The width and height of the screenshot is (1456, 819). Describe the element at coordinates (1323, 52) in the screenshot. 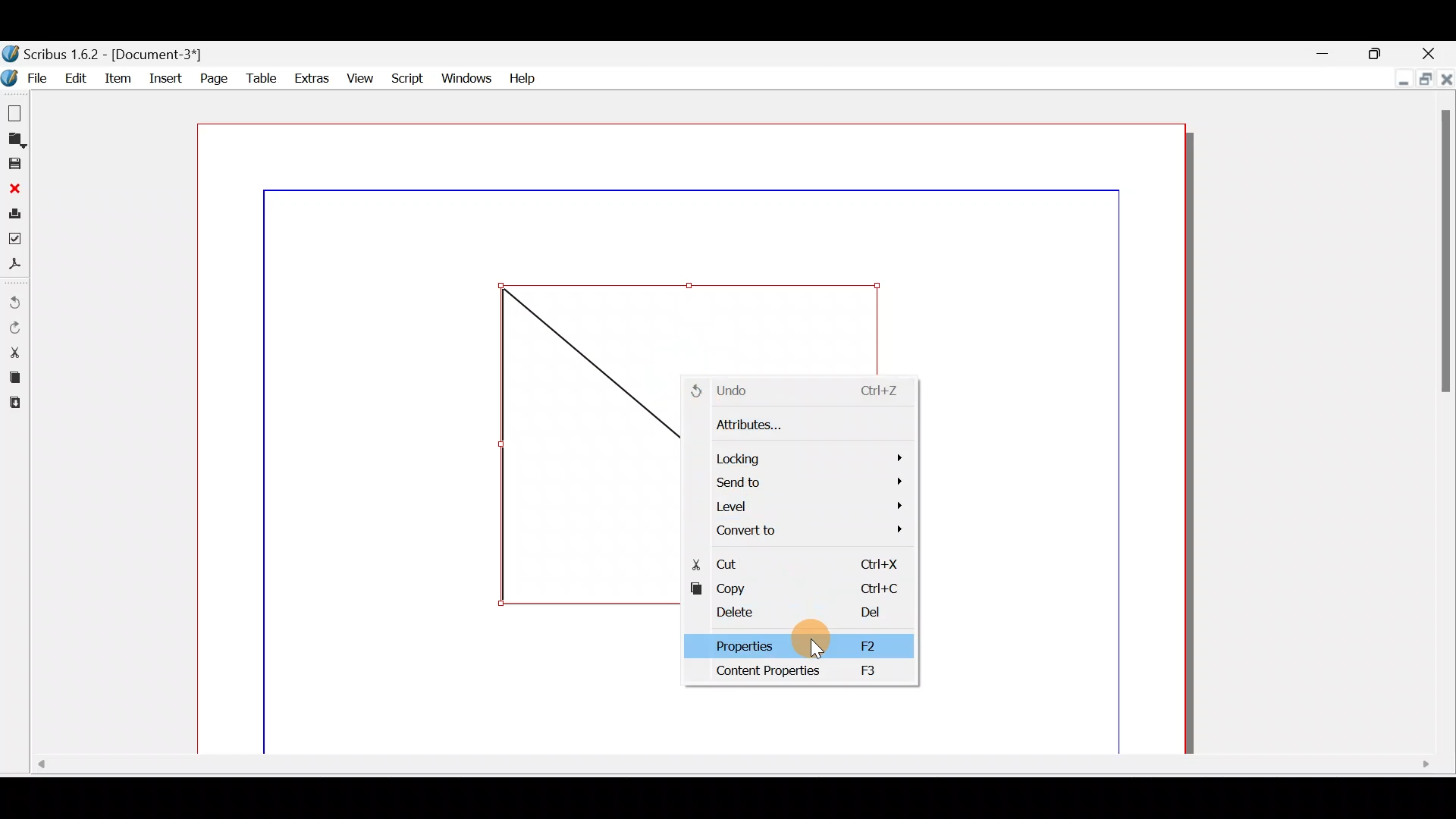

I see `Minimise` at that location.